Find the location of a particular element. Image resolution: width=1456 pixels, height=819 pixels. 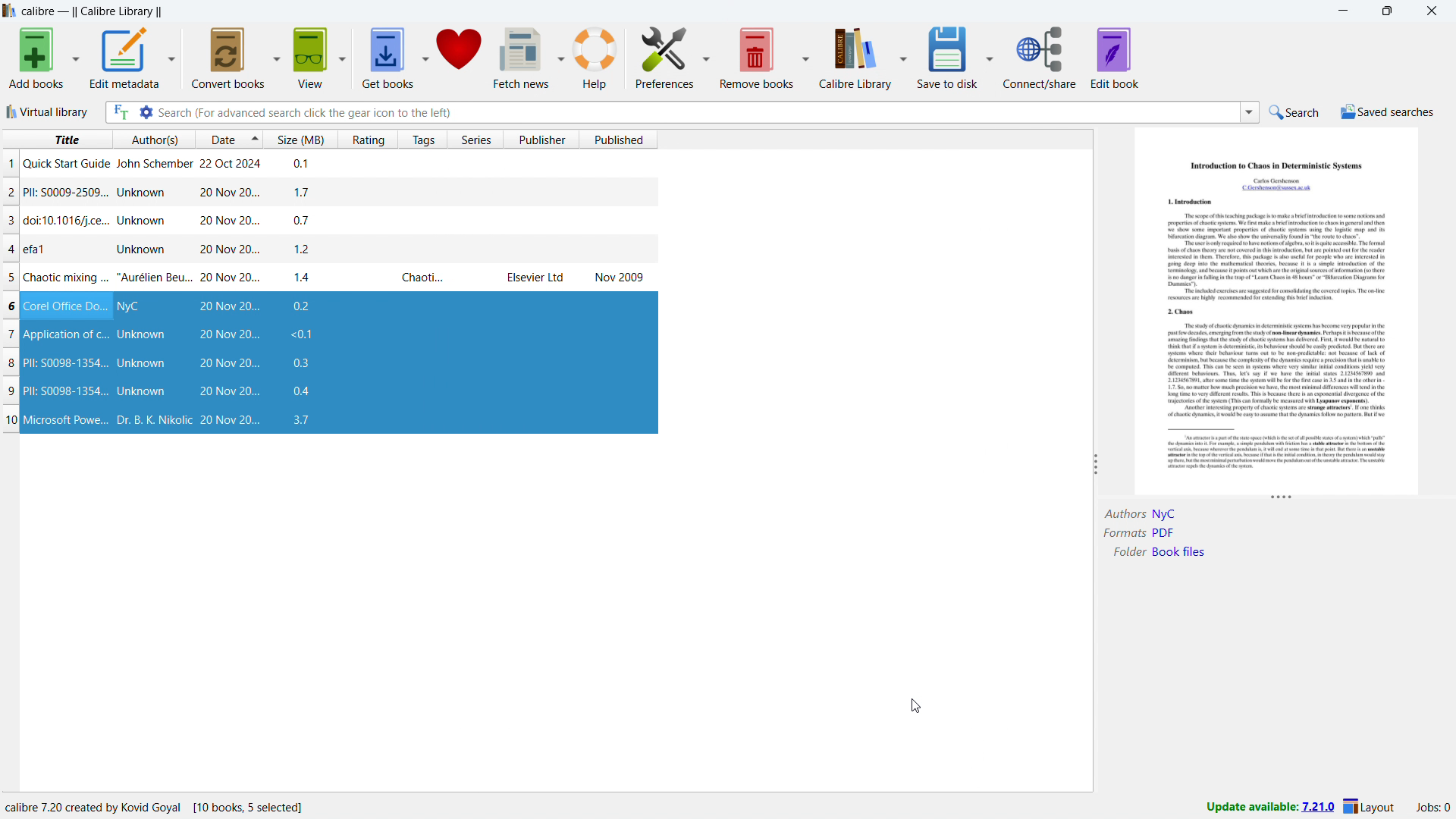

cursor is located at coordinates (915, 706).